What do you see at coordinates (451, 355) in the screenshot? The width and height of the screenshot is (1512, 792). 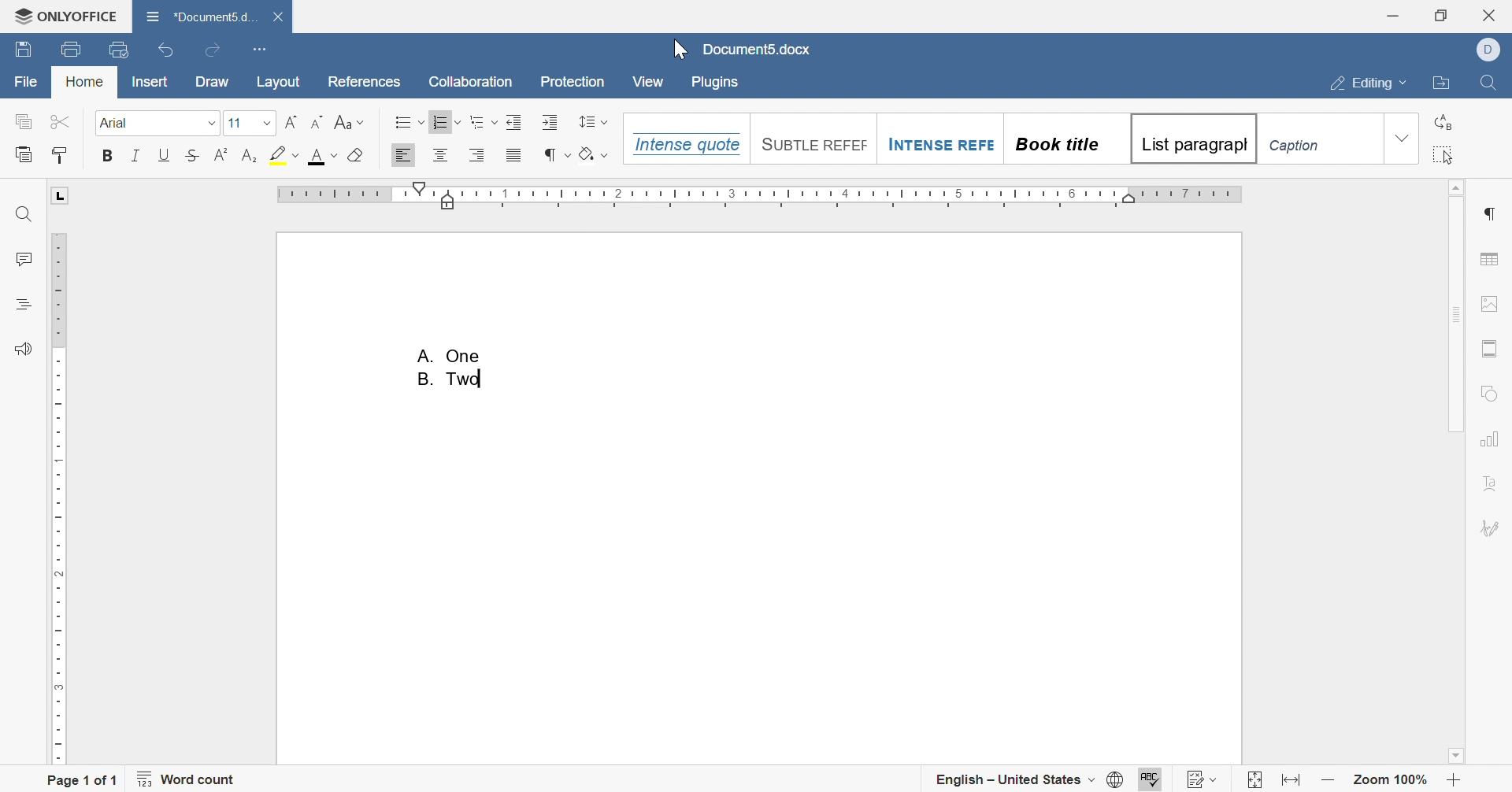 I see `a) One` at bounding box center [451, 355].